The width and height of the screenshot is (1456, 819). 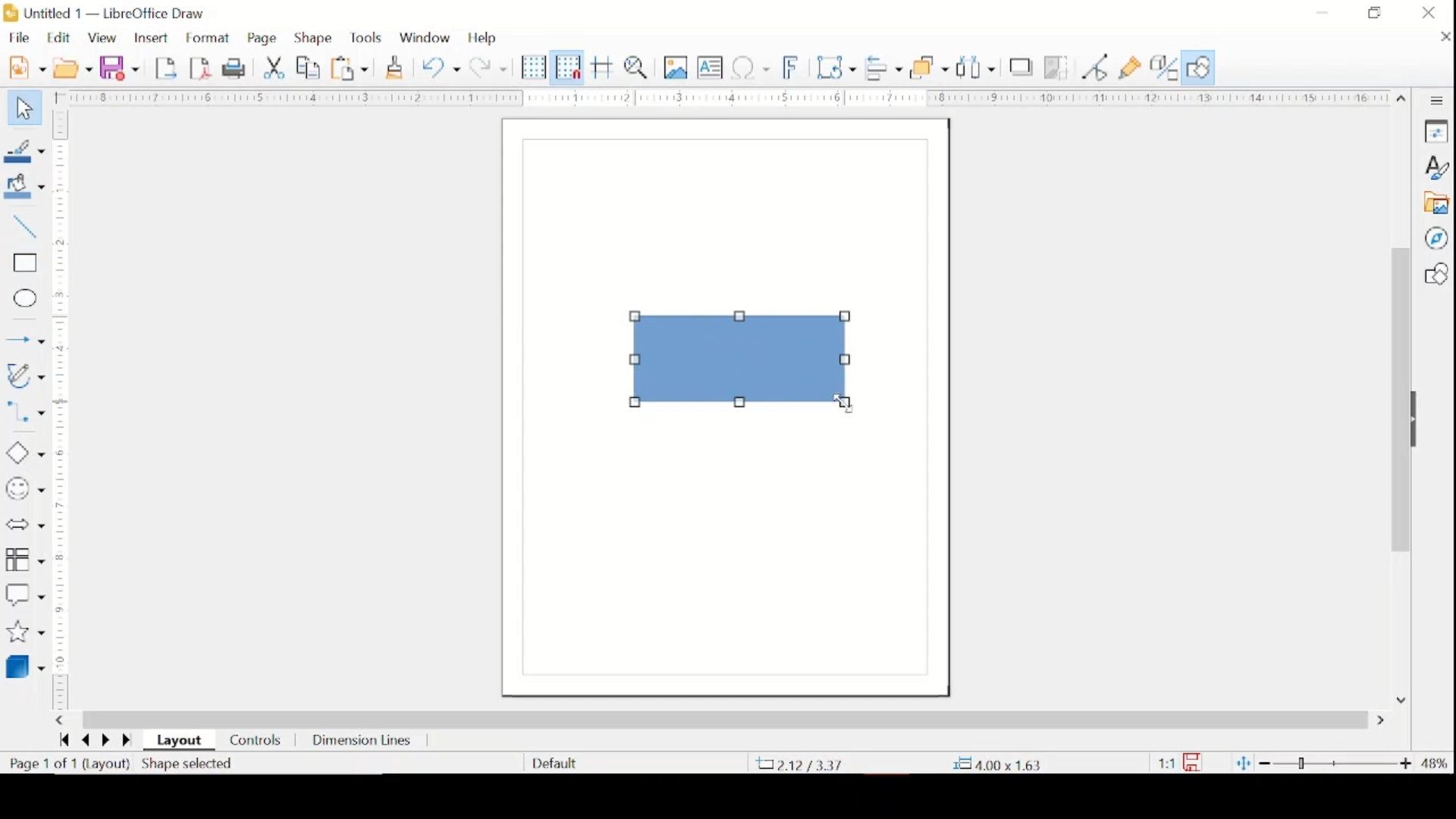 What do you see at coordinates (275, 67) in the screenshot?
I see `cut` at bounding box center [275, 67].